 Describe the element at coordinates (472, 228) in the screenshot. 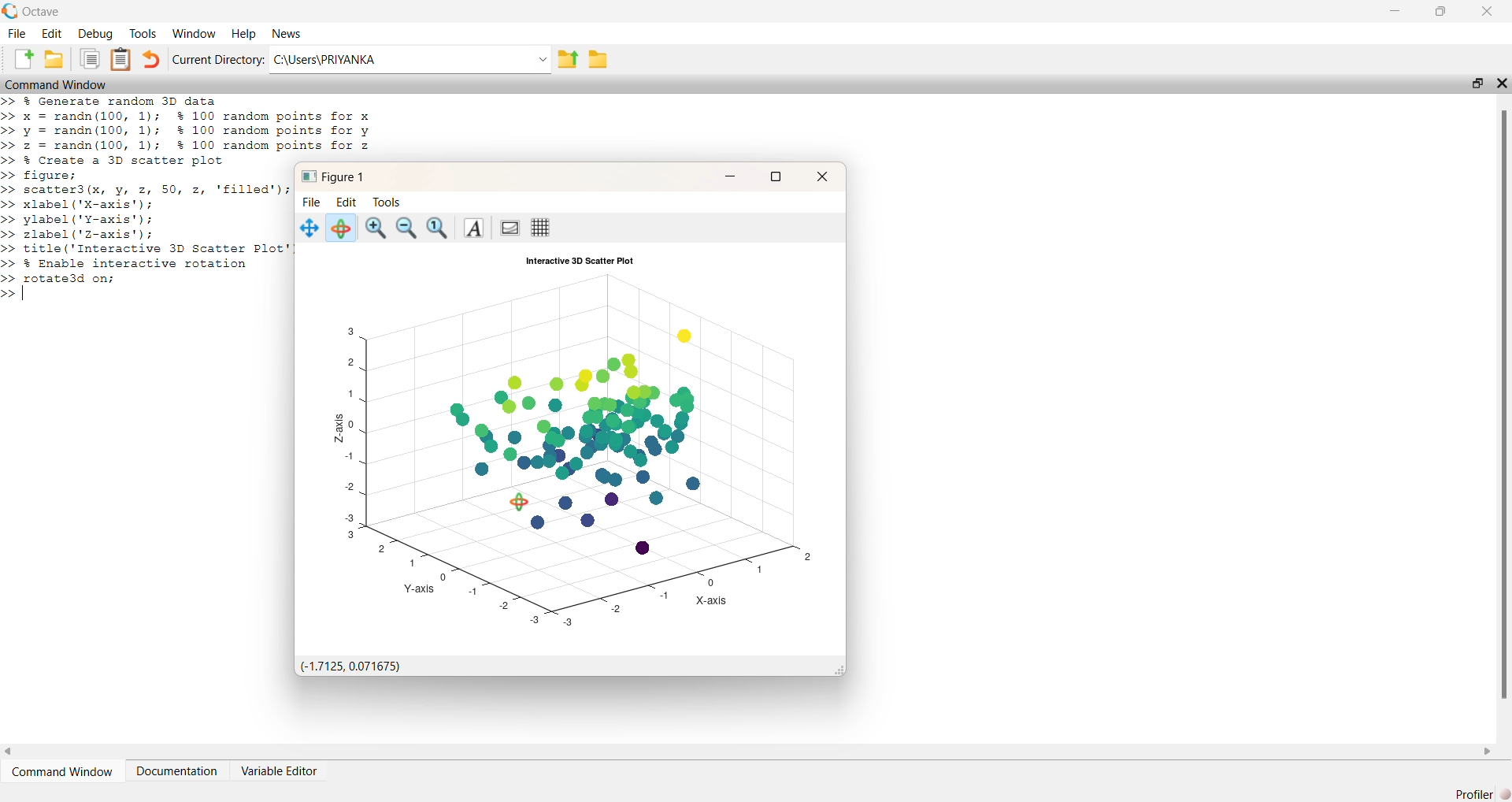

I see `font` at that location.